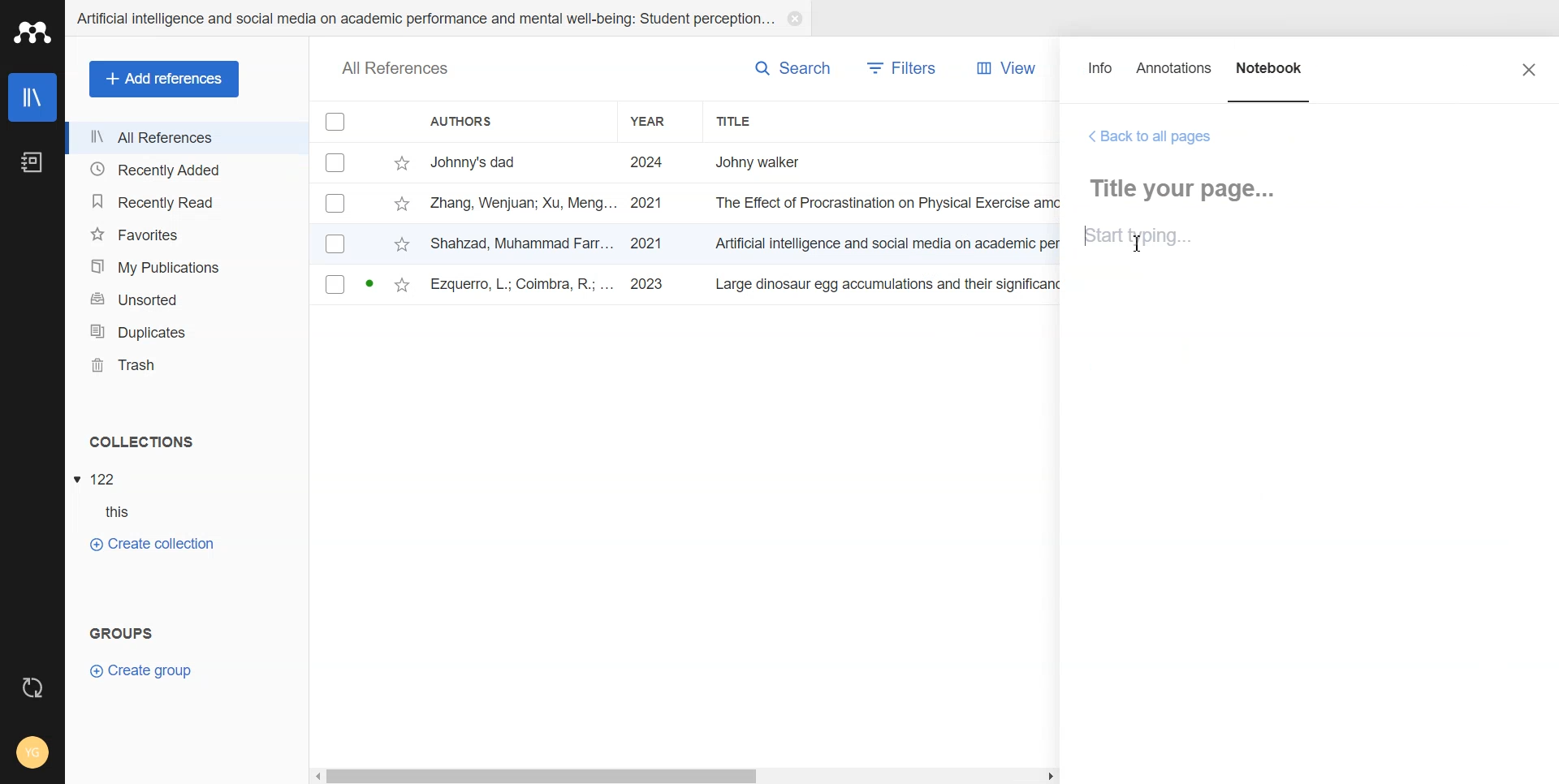 The height and width of the screenshot is (784, 1559). I want to click on Notebook, so click(1271, 75).